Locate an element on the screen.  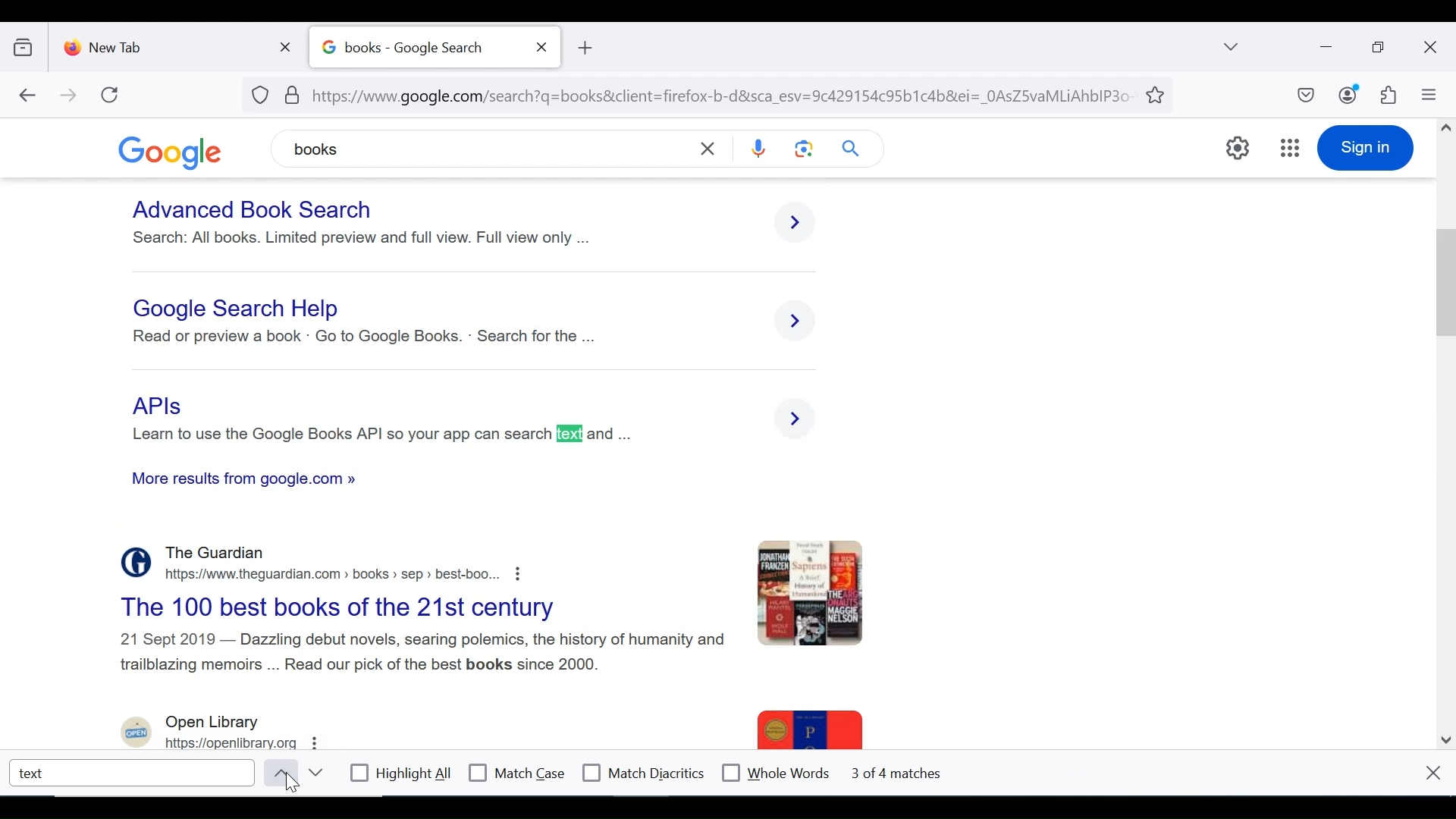
minimize is located at coordinates (1324, 45).